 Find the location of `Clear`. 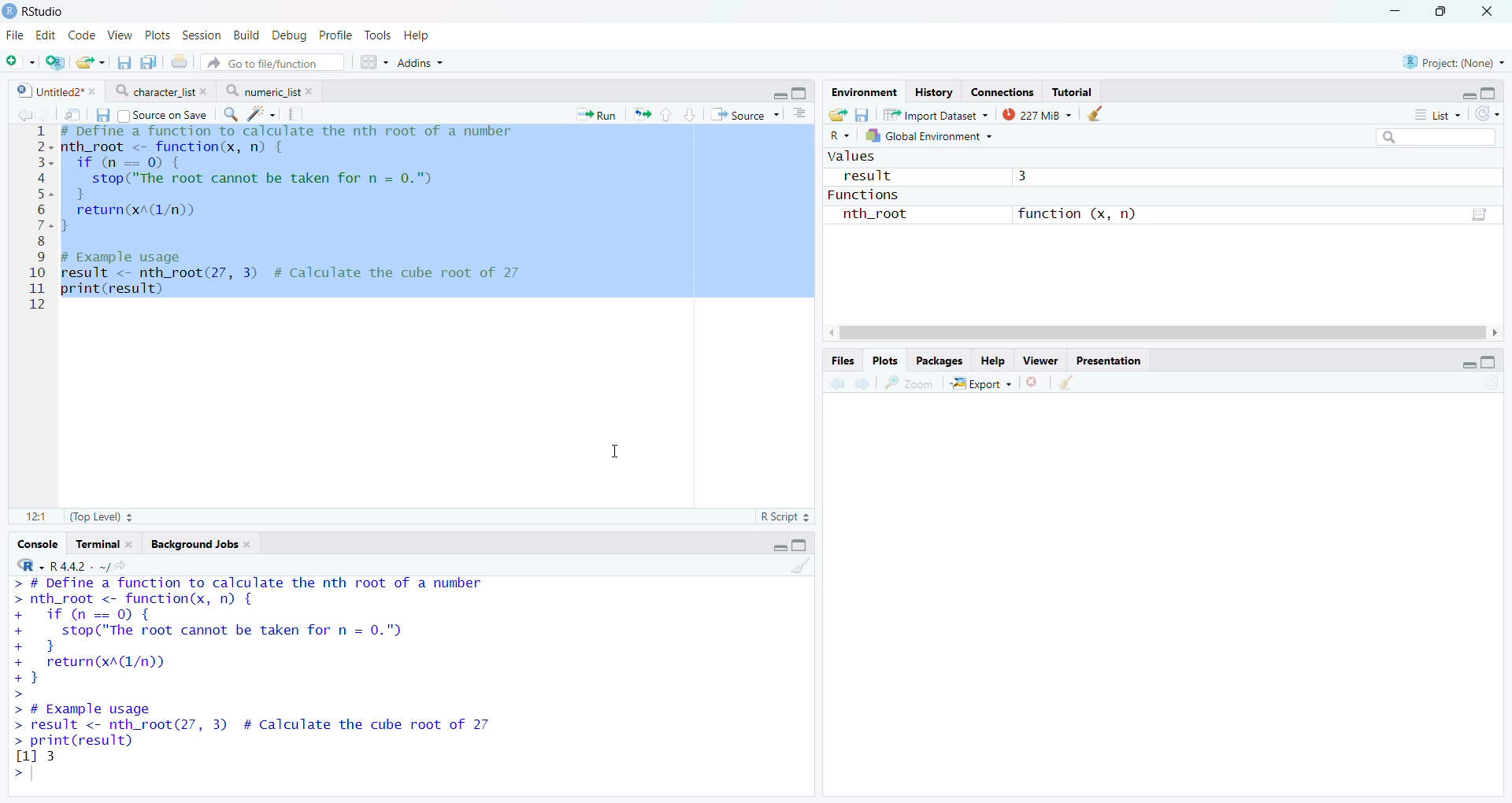

Clear is located at coordinates (1069, 383).